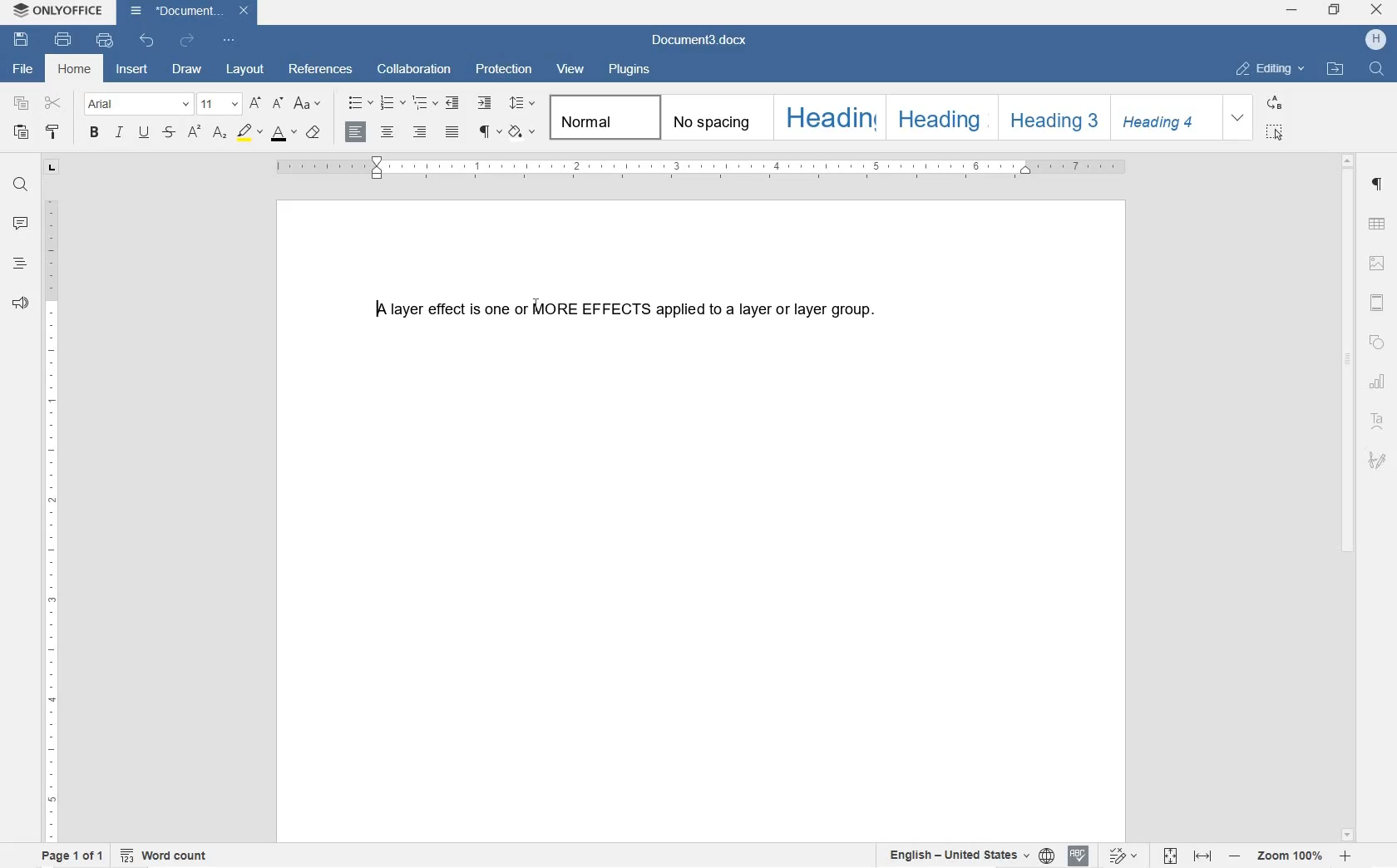  I want to click on SHAPE, so click(1378, 343).